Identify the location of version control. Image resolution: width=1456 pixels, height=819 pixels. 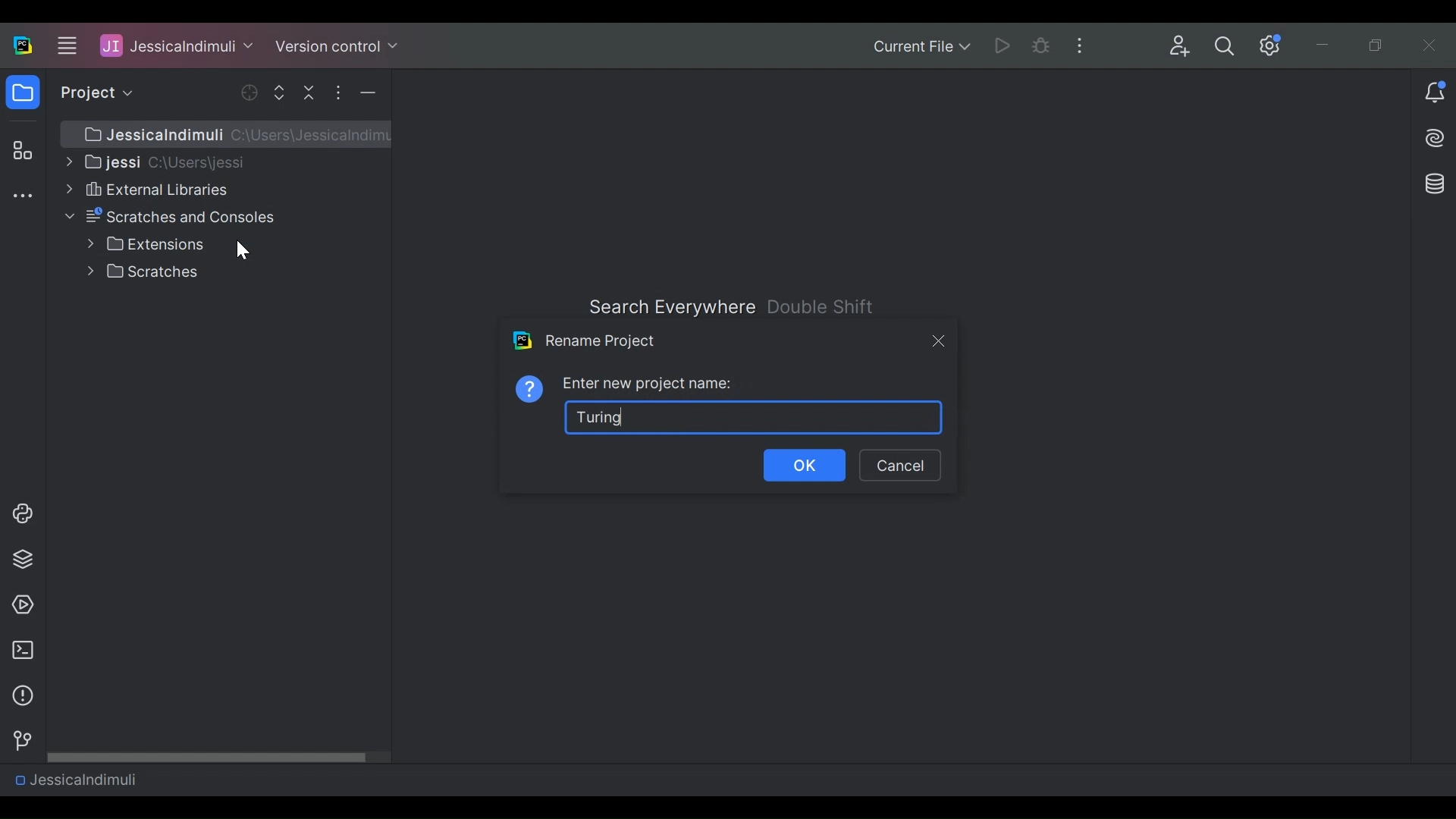
(18, 741).